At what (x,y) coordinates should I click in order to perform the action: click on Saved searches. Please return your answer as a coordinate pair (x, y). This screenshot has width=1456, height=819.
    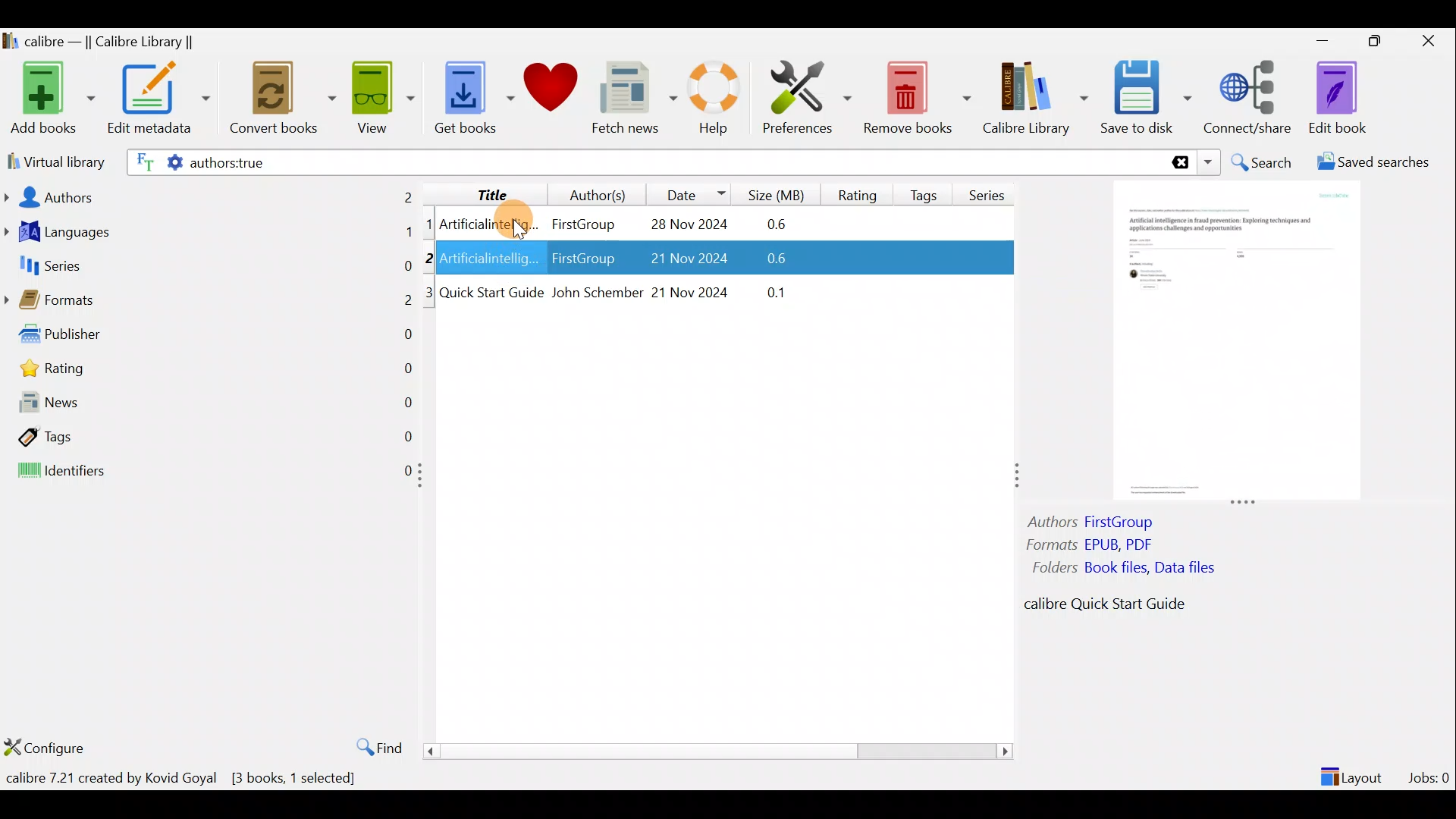
    Looking at the image, I should click on (1378, 164).